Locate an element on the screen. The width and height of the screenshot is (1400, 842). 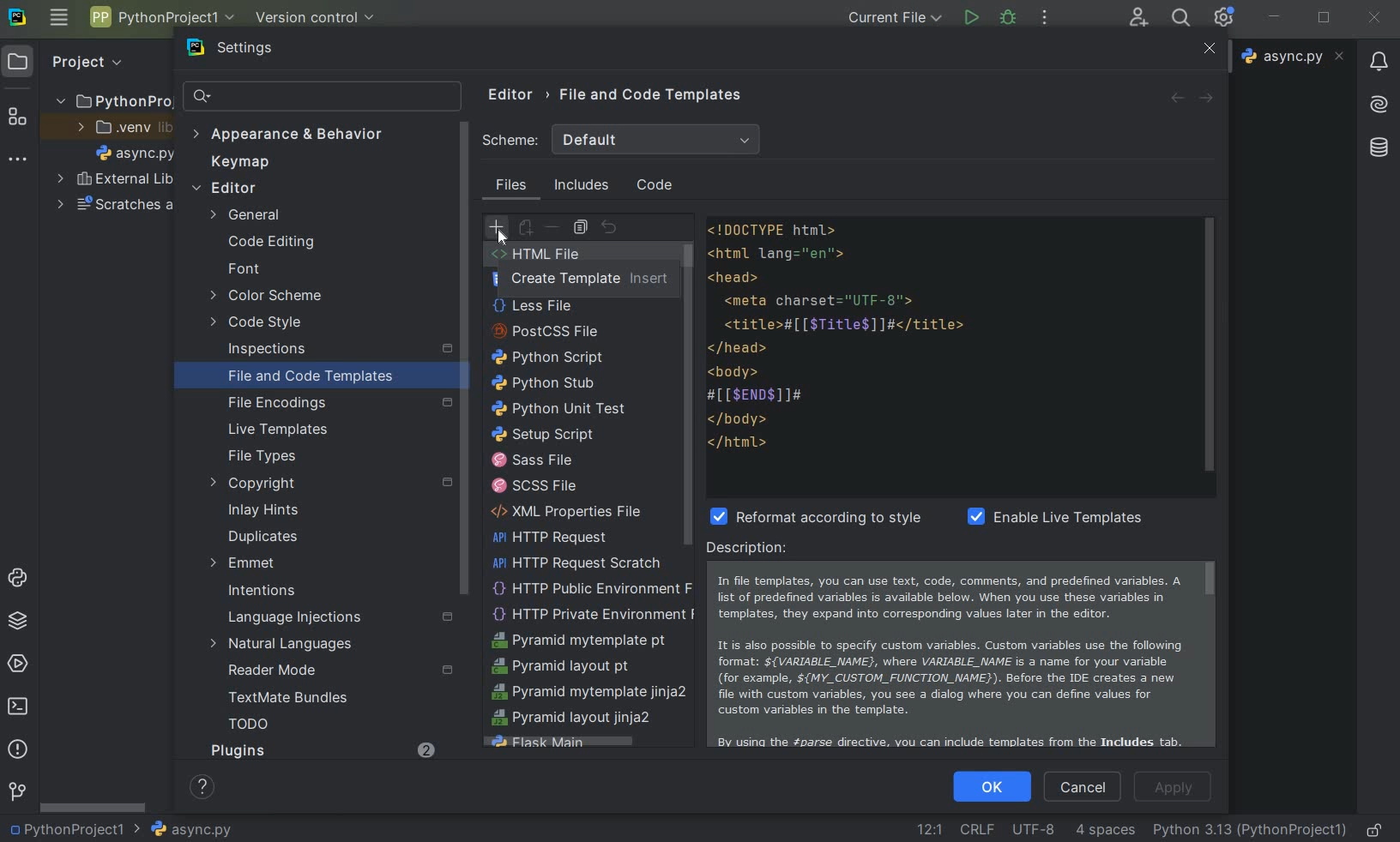
problems is located at coordinates (17, 748).